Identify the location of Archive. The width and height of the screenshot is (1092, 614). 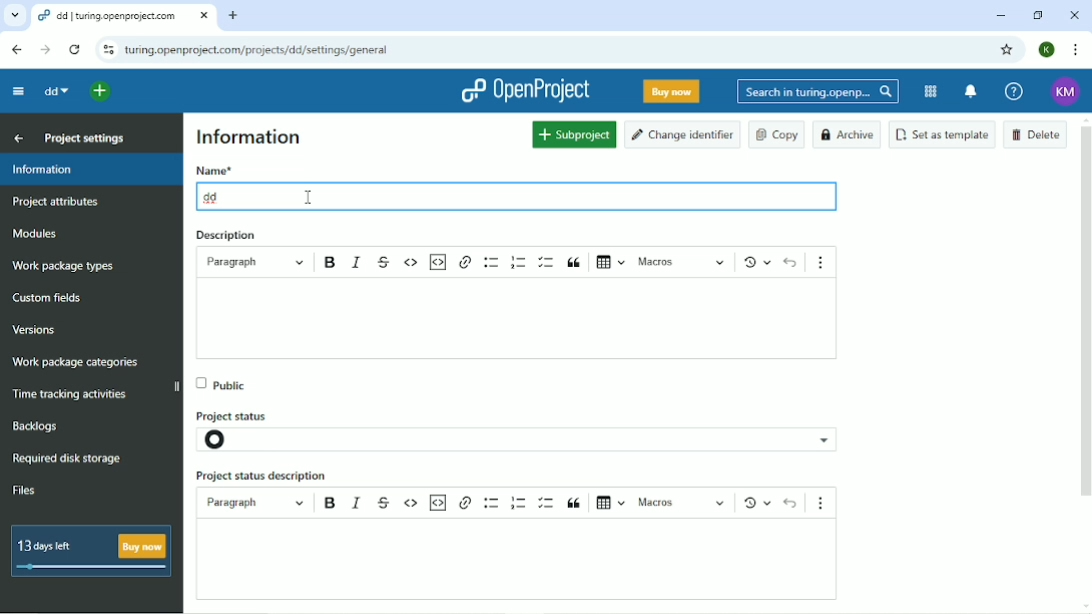
(848, 135).